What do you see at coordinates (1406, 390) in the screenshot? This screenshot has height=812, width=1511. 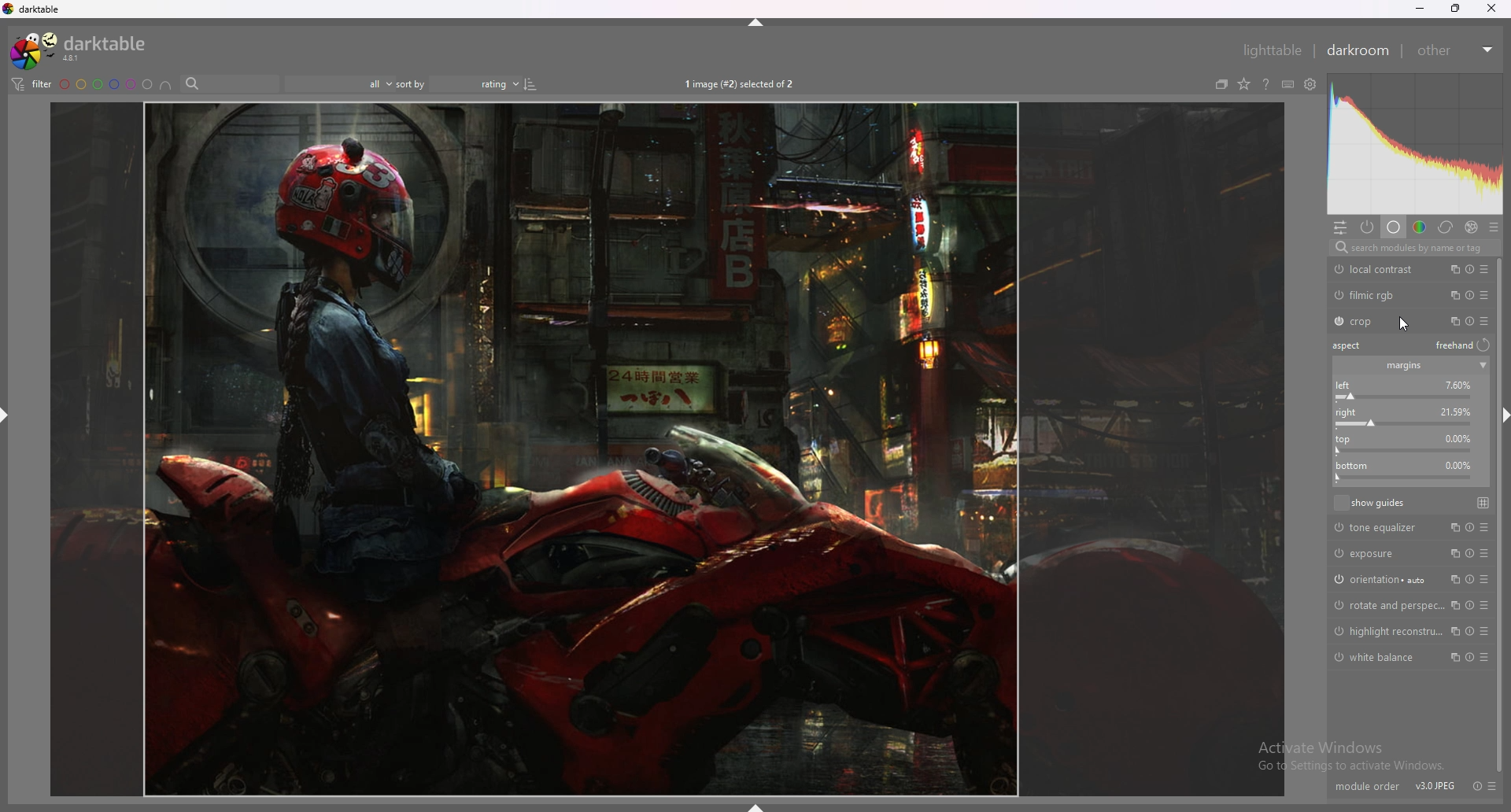 I see `left` at bounding box center [1406, 390].